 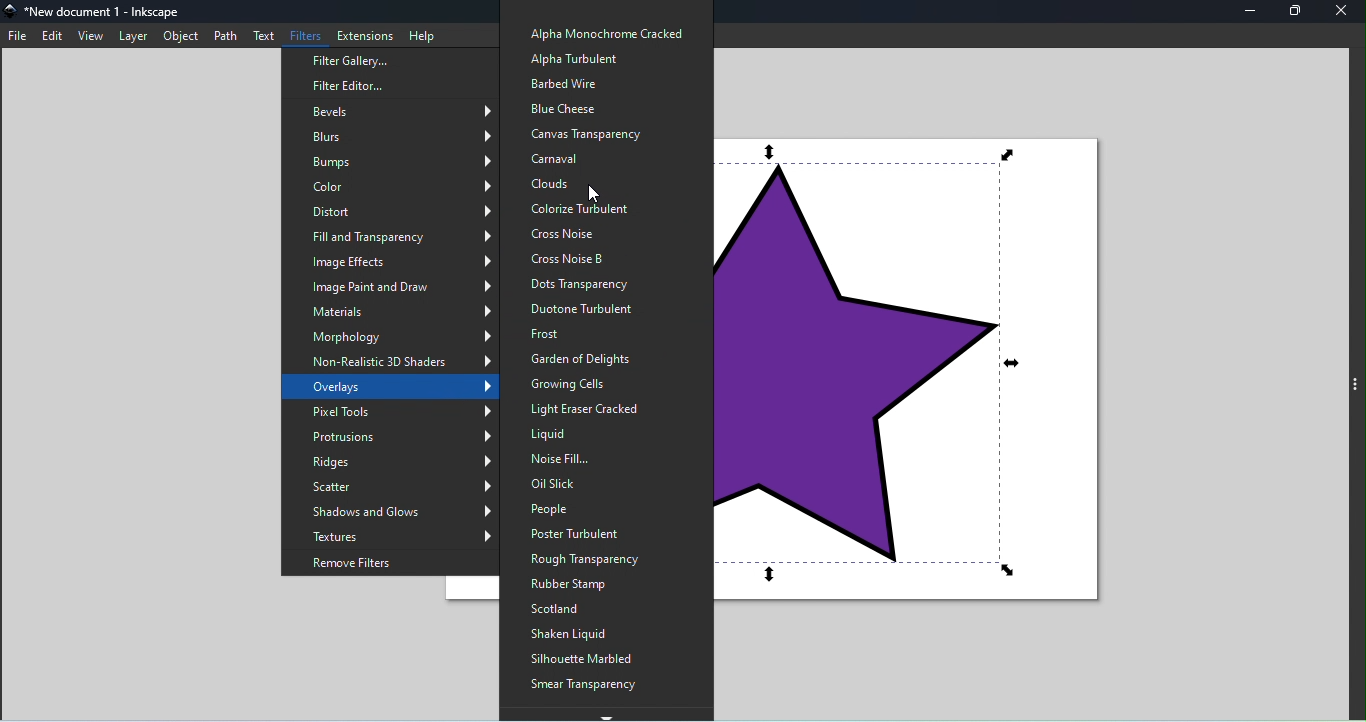 What do you see at coordinates (394, 439) in the screenshot?
I see `Portrusions` at bounding box center [394, 439].